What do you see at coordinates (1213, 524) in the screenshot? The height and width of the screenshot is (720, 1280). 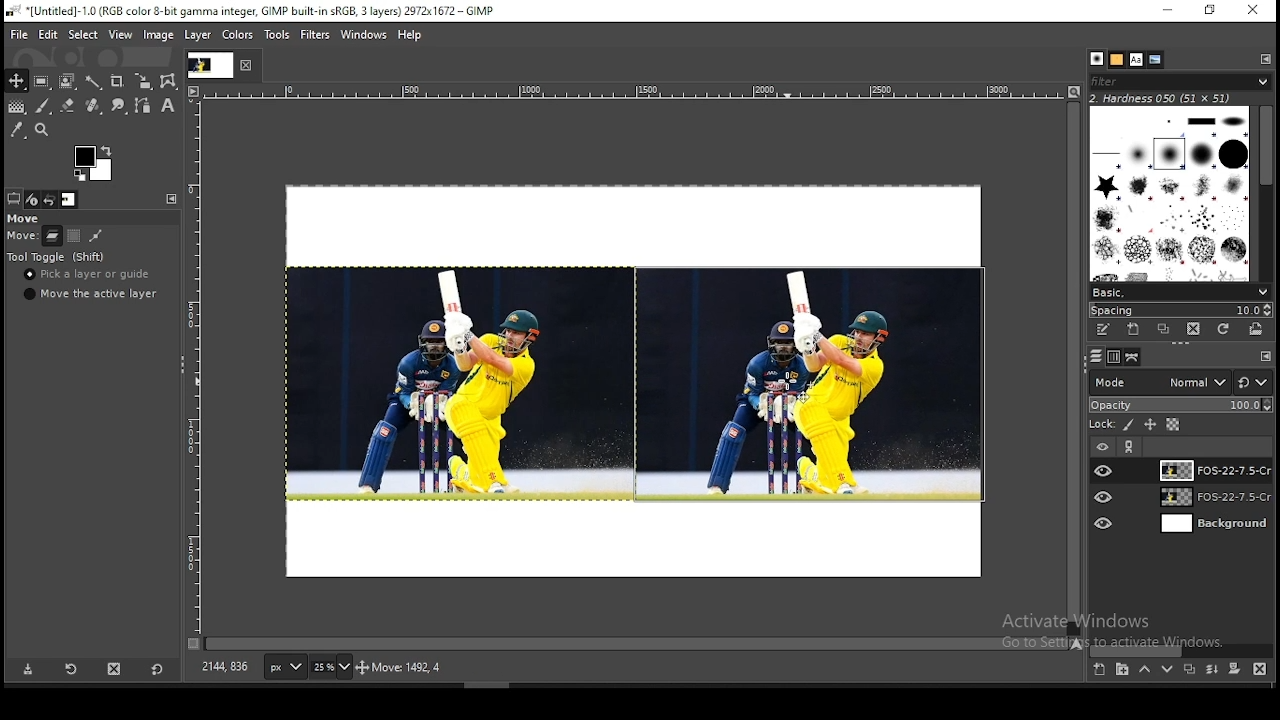 I see `layer` at bounding box center [1213, 524].